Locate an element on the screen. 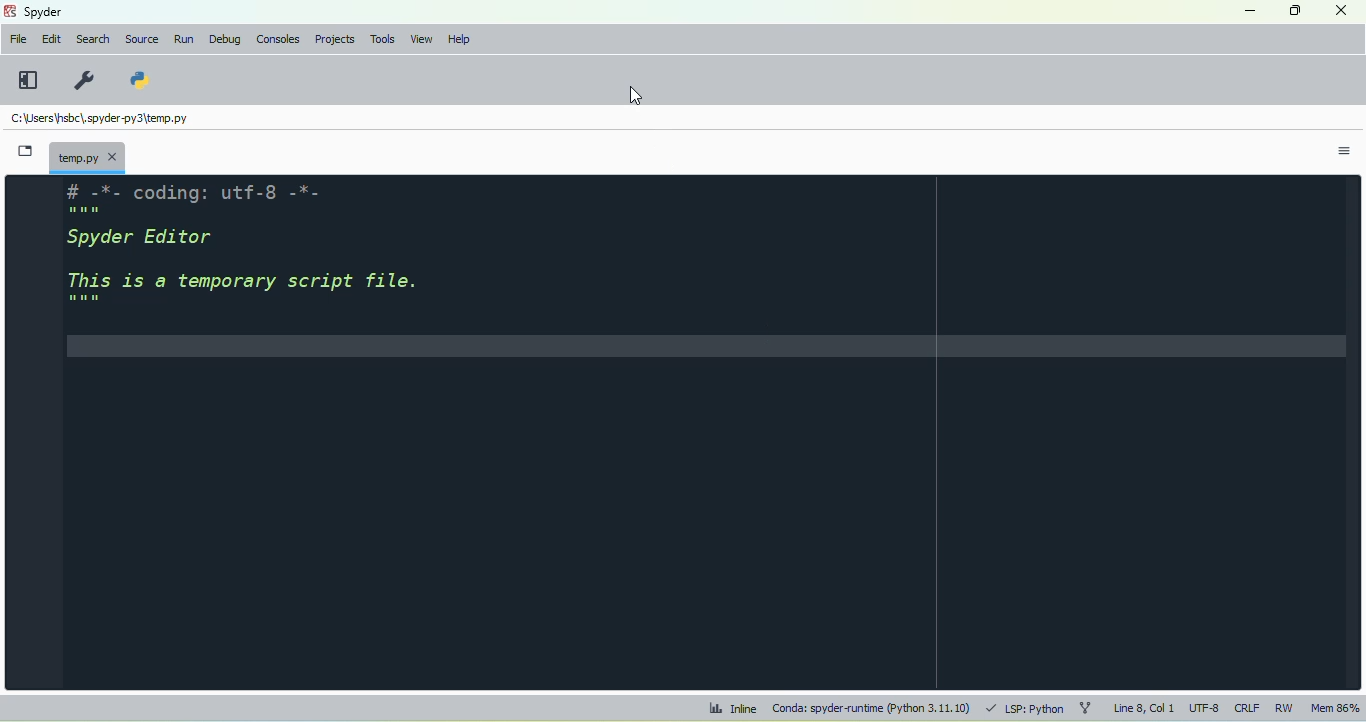 This screenshot has height=722, width=1366. edit is located at coordinates (52, 39).